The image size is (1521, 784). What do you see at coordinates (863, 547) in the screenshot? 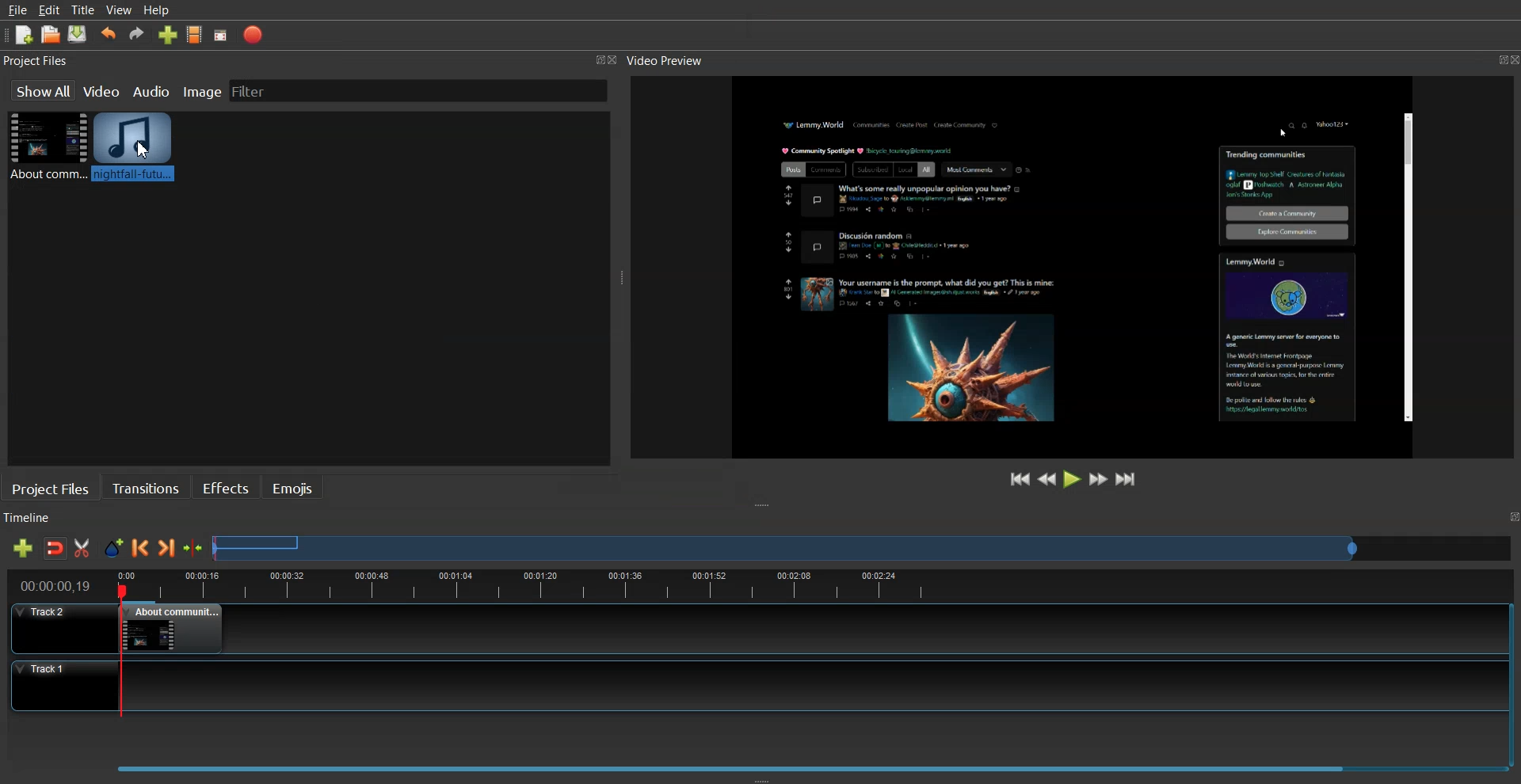
I see `Slider` at bounding box center [863, 547].